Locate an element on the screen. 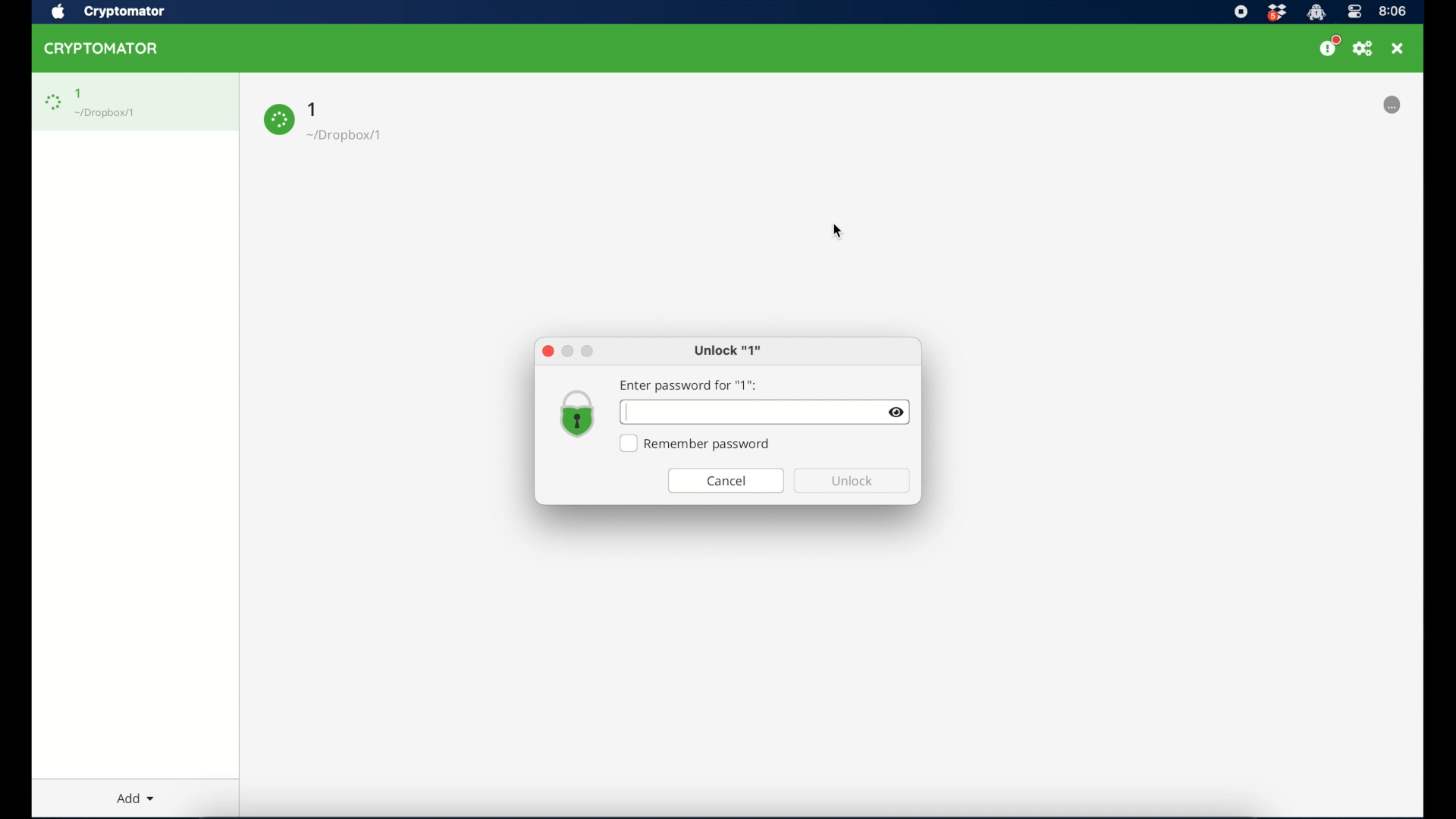  inimize is located at coordinates (569, 352).